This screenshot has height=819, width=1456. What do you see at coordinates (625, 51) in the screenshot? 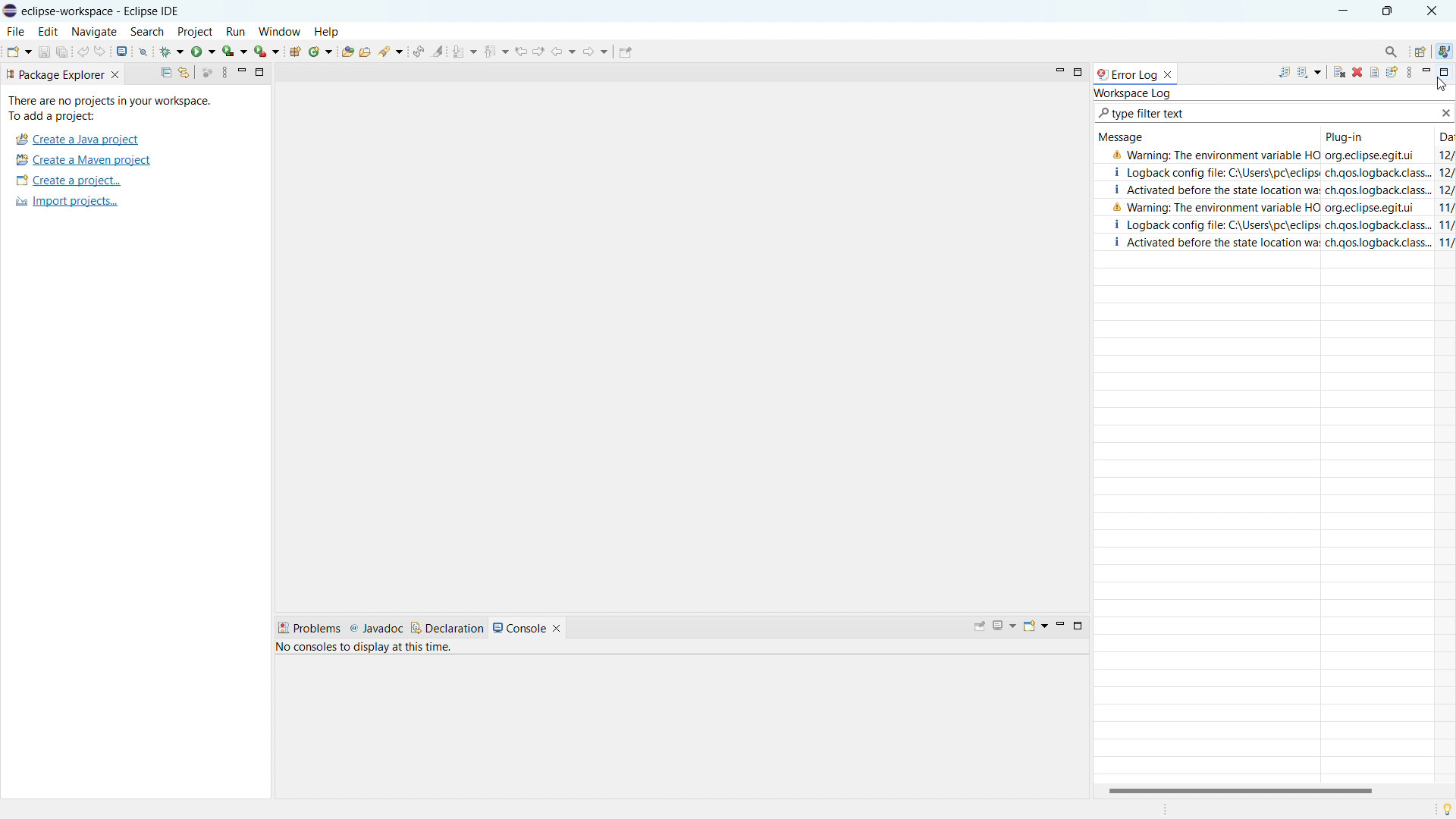
I see `pin editor` at bounding box center [625, 51].